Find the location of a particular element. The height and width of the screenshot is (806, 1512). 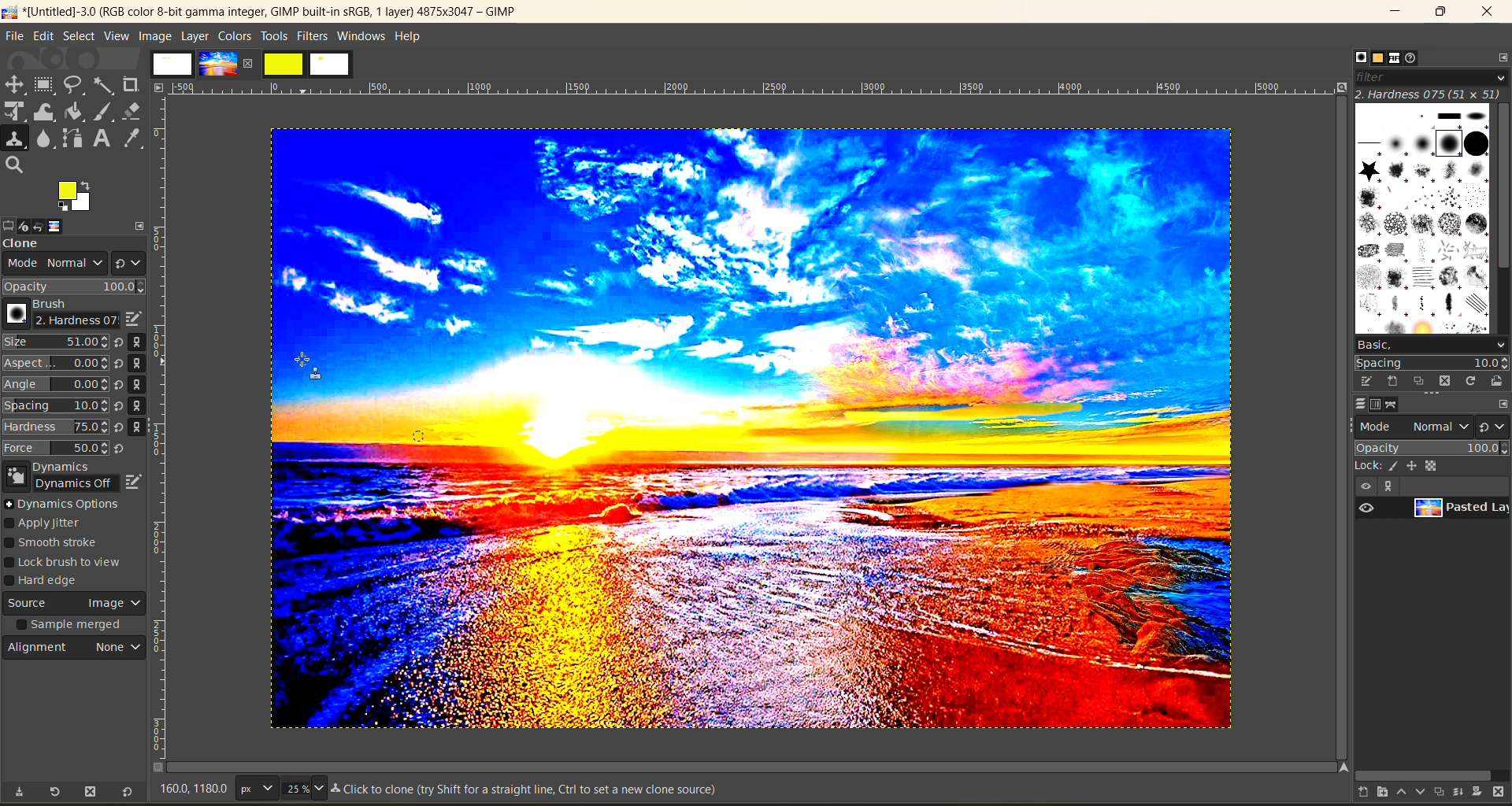

active foreground and background color is located at coordinates (76, 198).